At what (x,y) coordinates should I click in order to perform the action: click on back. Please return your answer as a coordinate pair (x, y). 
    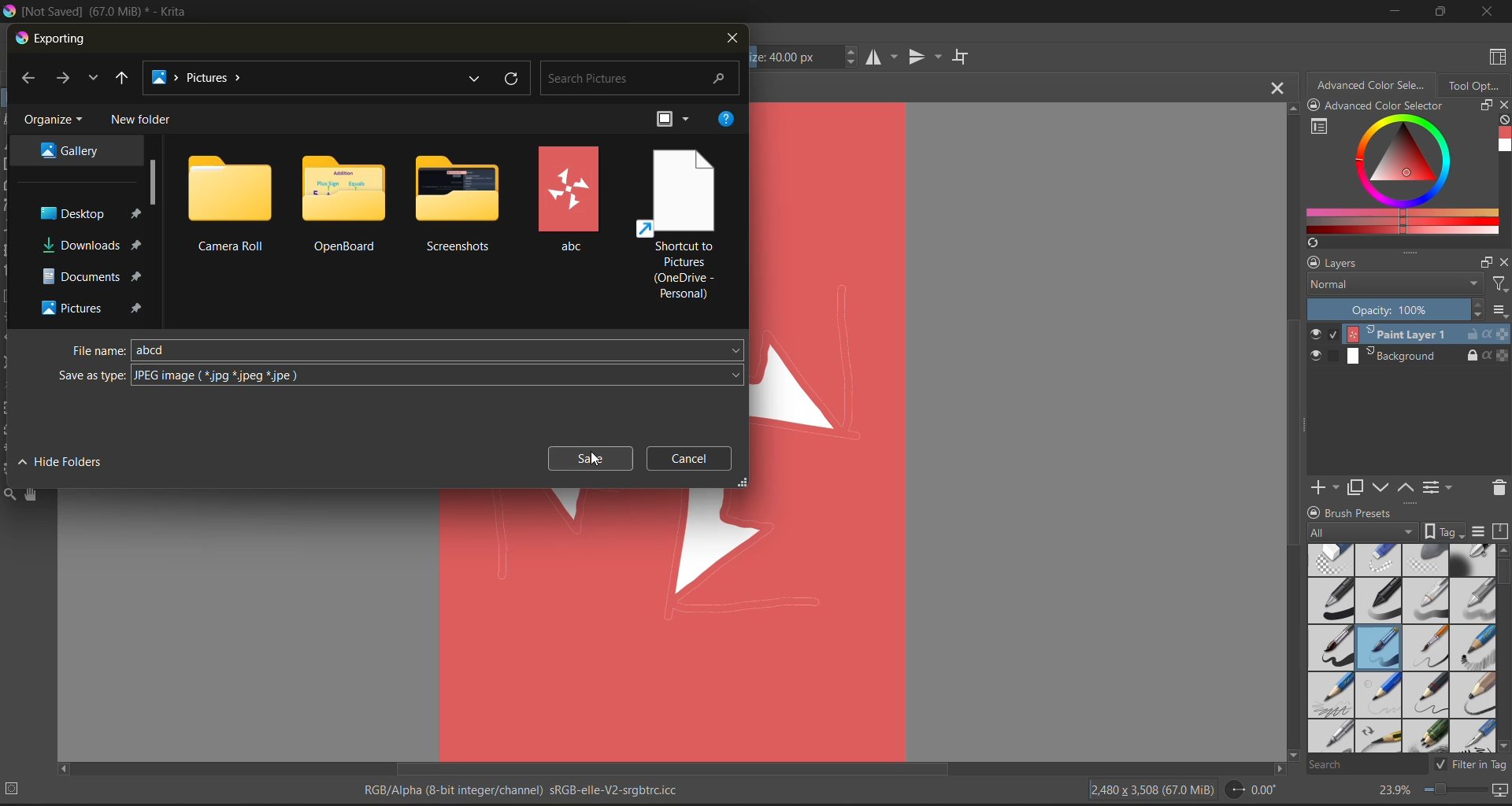
    Looking at the image, I should click on (30, 78).